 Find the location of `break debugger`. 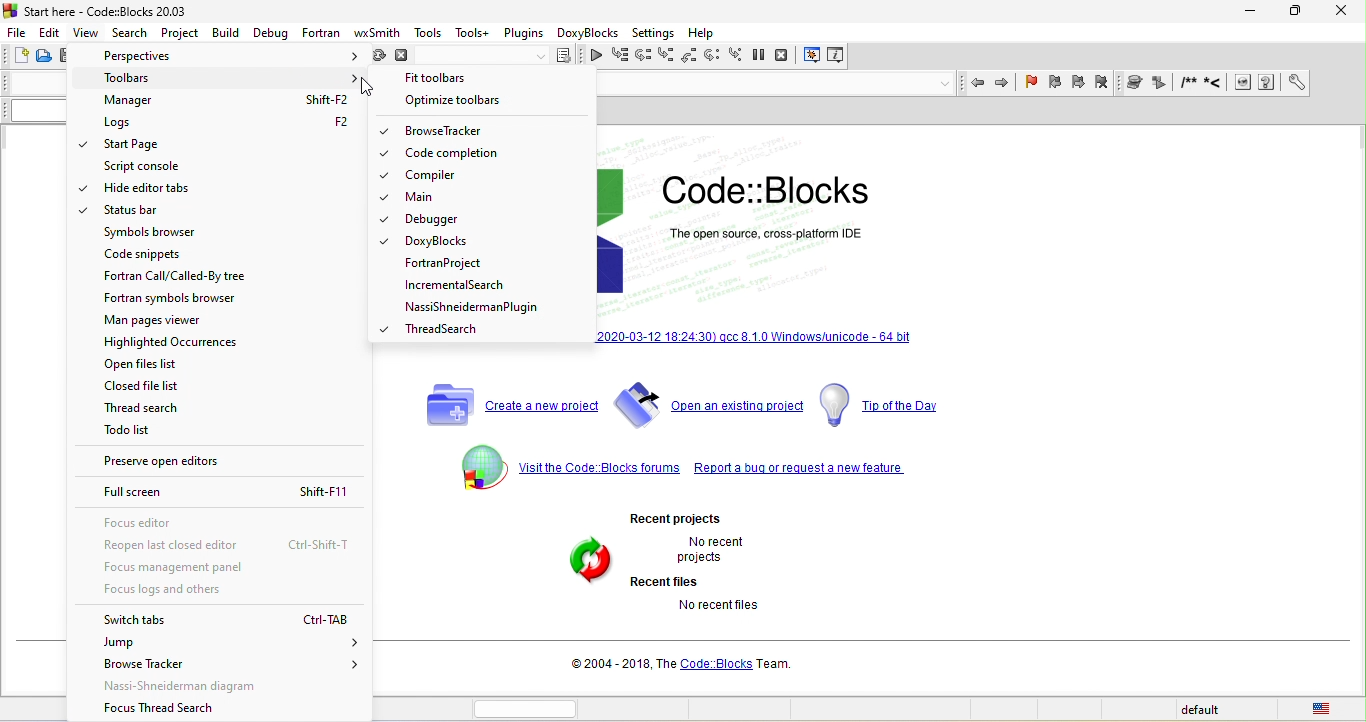

break debugger is located at coordinates (759, 56).